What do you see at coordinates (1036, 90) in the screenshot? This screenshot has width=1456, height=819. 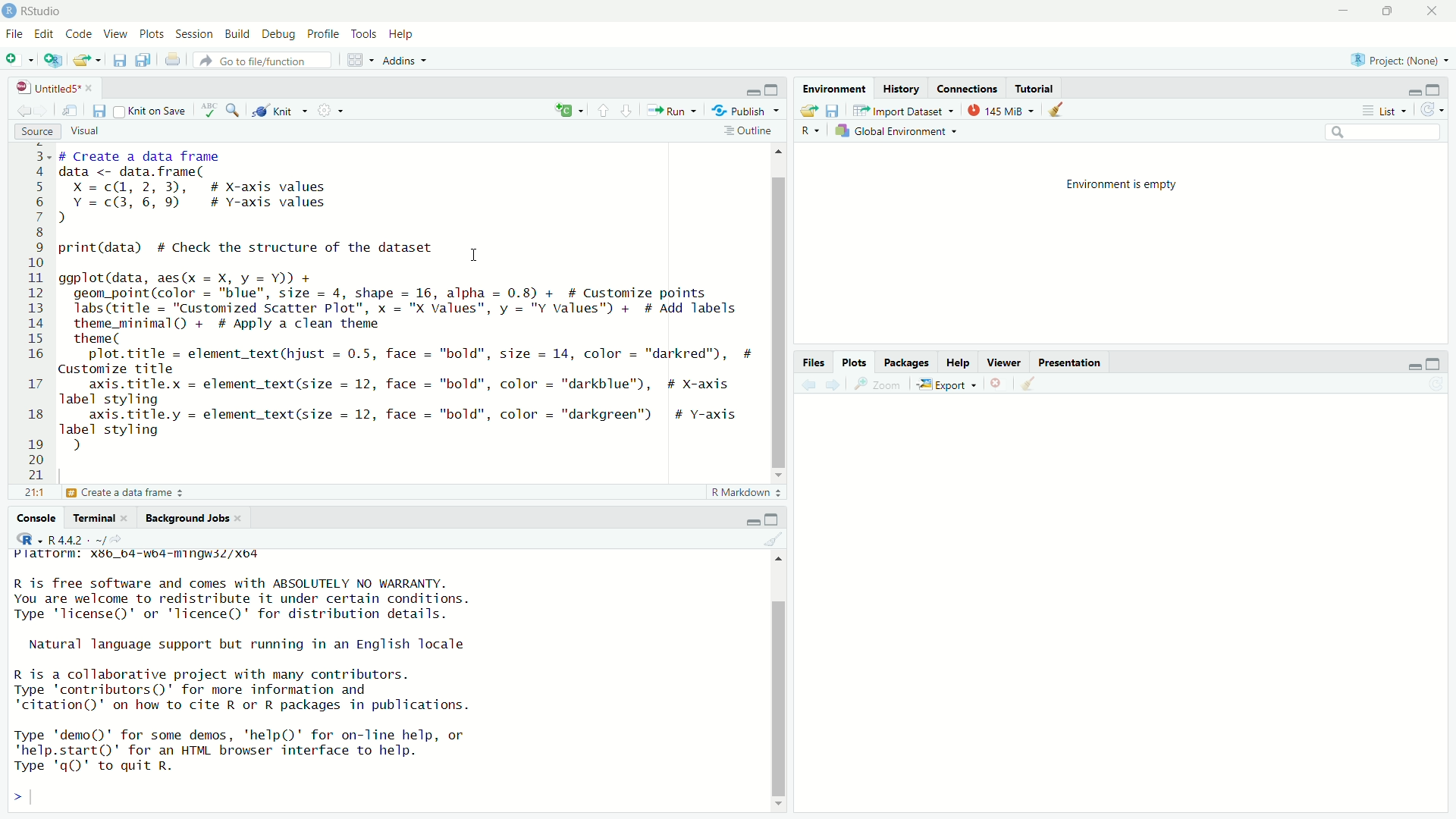 I see `Tutorial` at bounding box center [1036, 90].